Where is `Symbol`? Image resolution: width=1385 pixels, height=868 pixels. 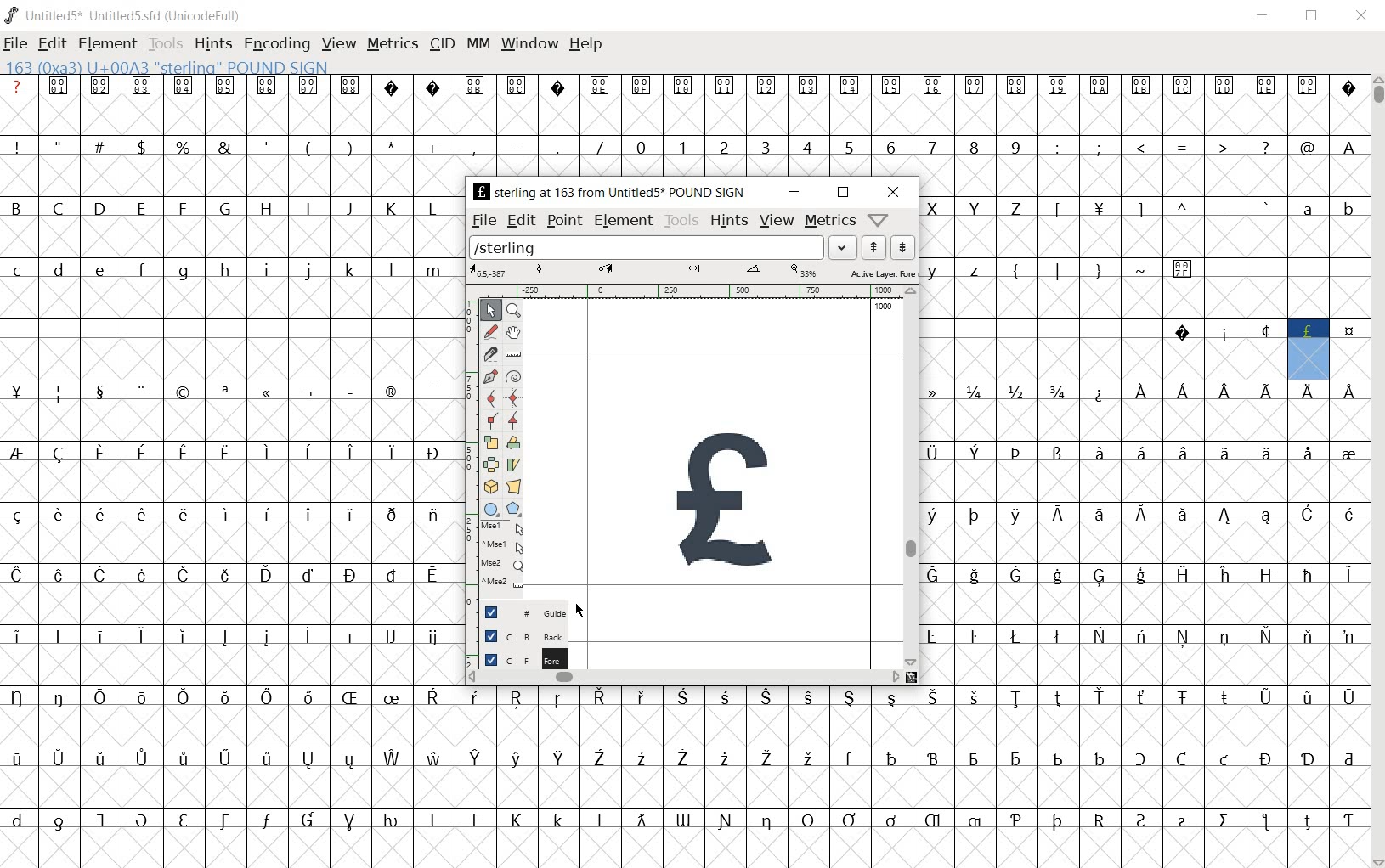 Symbol is located at coordinates (1183, 332).